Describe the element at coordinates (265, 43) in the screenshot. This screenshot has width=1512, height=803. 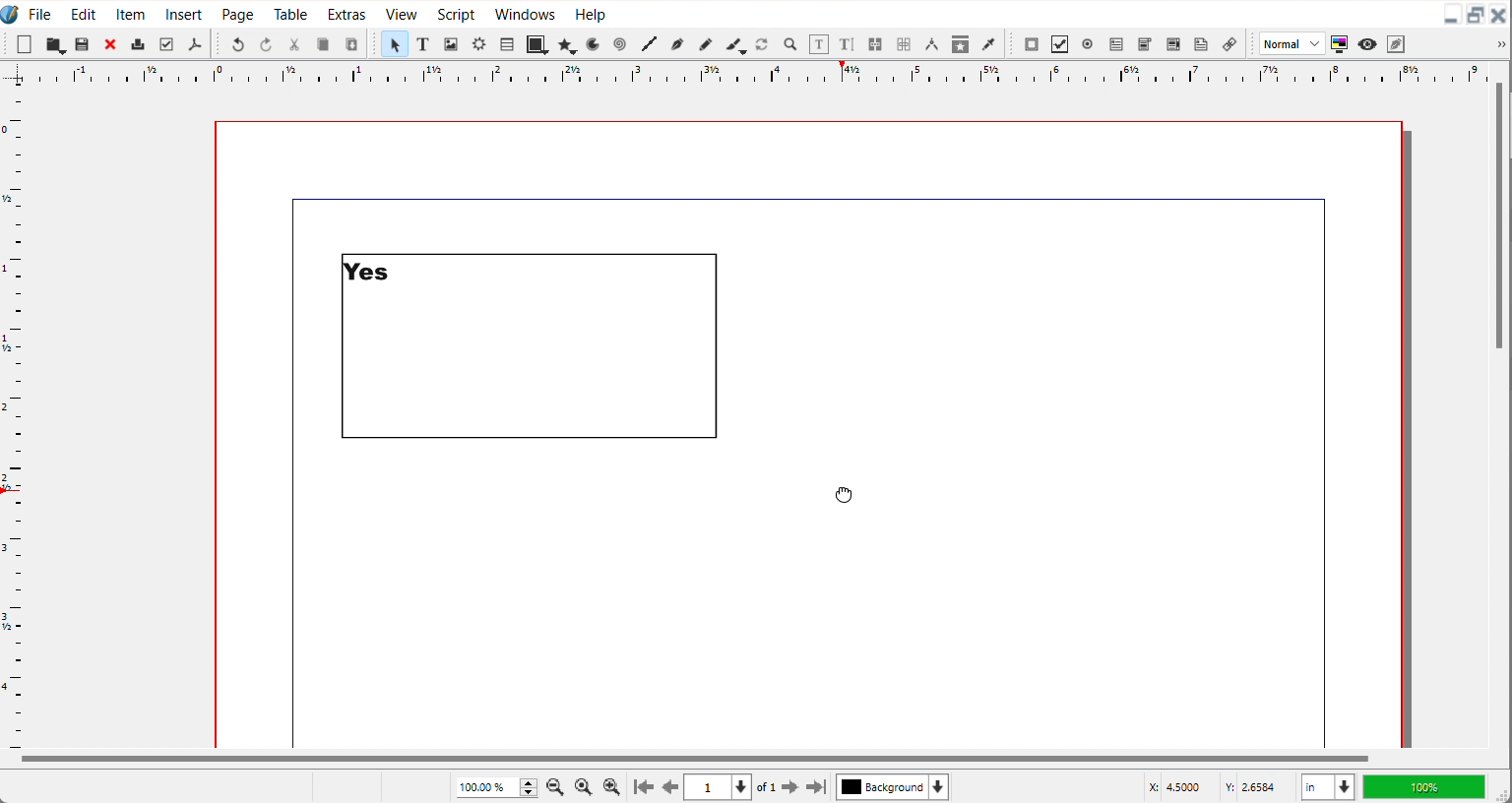
I see `Redo` at that location.